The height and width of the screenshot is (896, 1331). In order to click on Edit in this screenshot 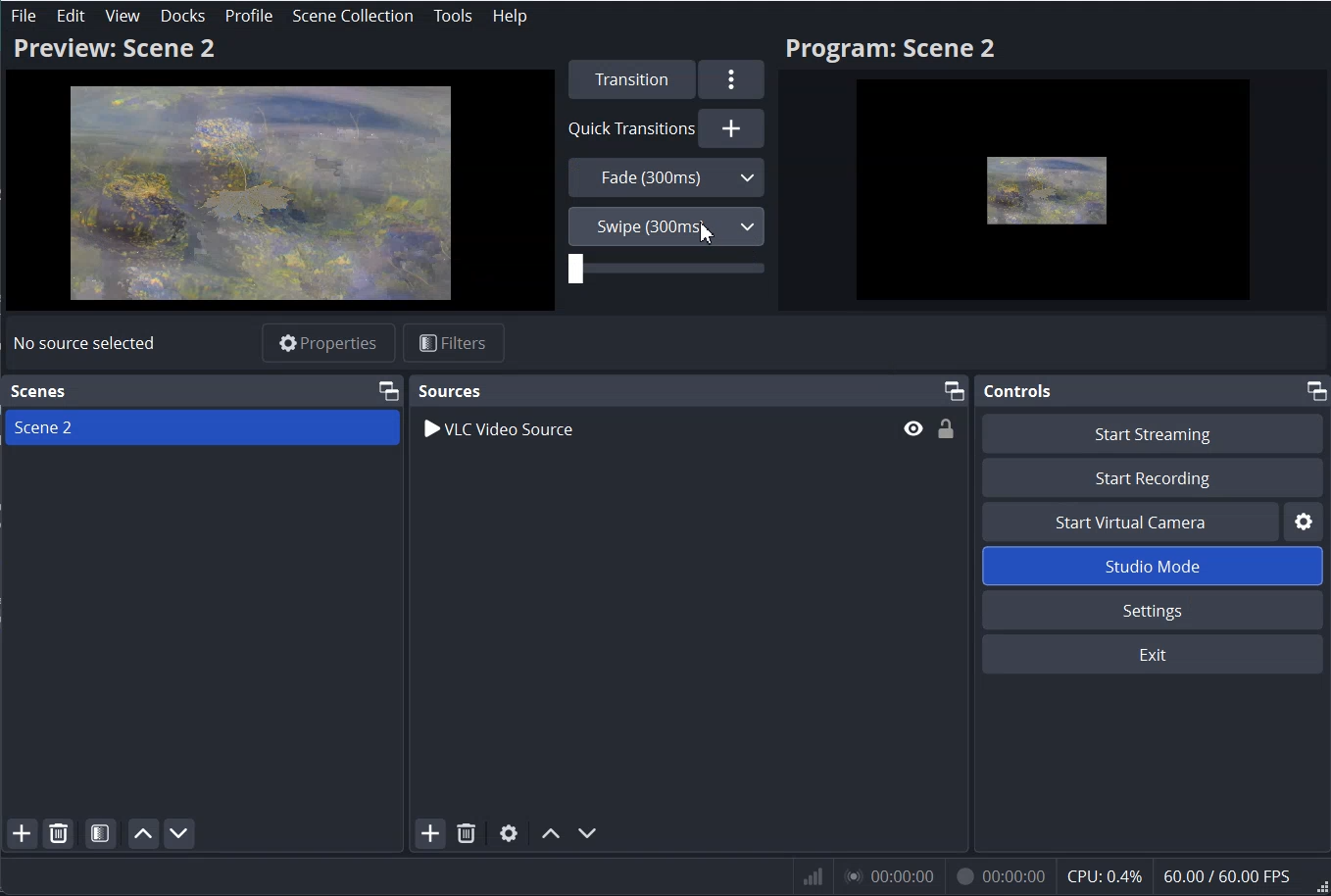, I will do `click(72, 16)`.